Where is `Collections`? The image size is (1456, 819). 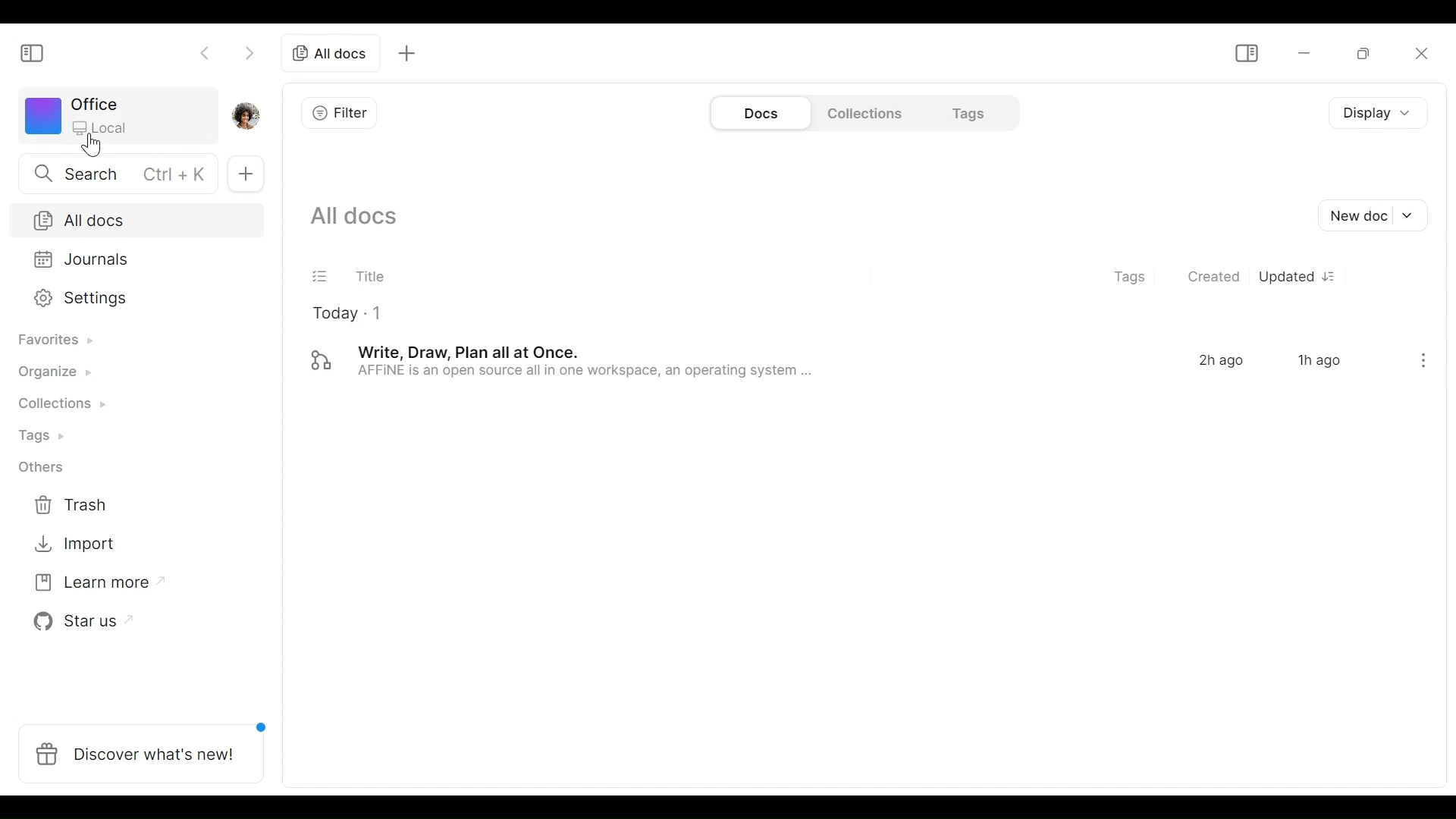 Collections is located at coordinates (862, 114).